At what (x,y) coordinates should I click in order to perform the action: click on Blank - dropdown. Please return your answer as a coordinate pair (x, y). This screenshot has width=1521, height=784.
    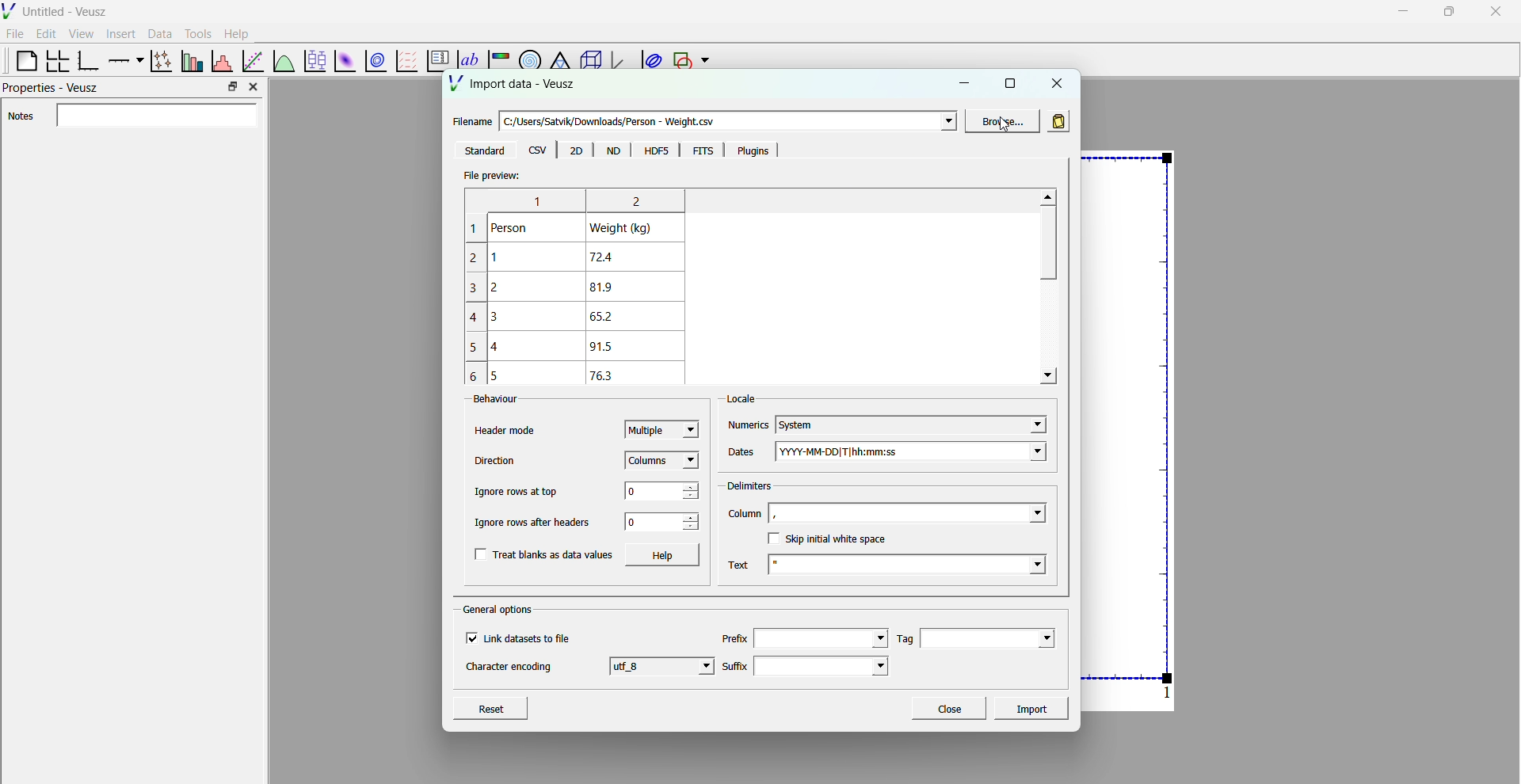
    Looking at the image, I should click on (928, 512).